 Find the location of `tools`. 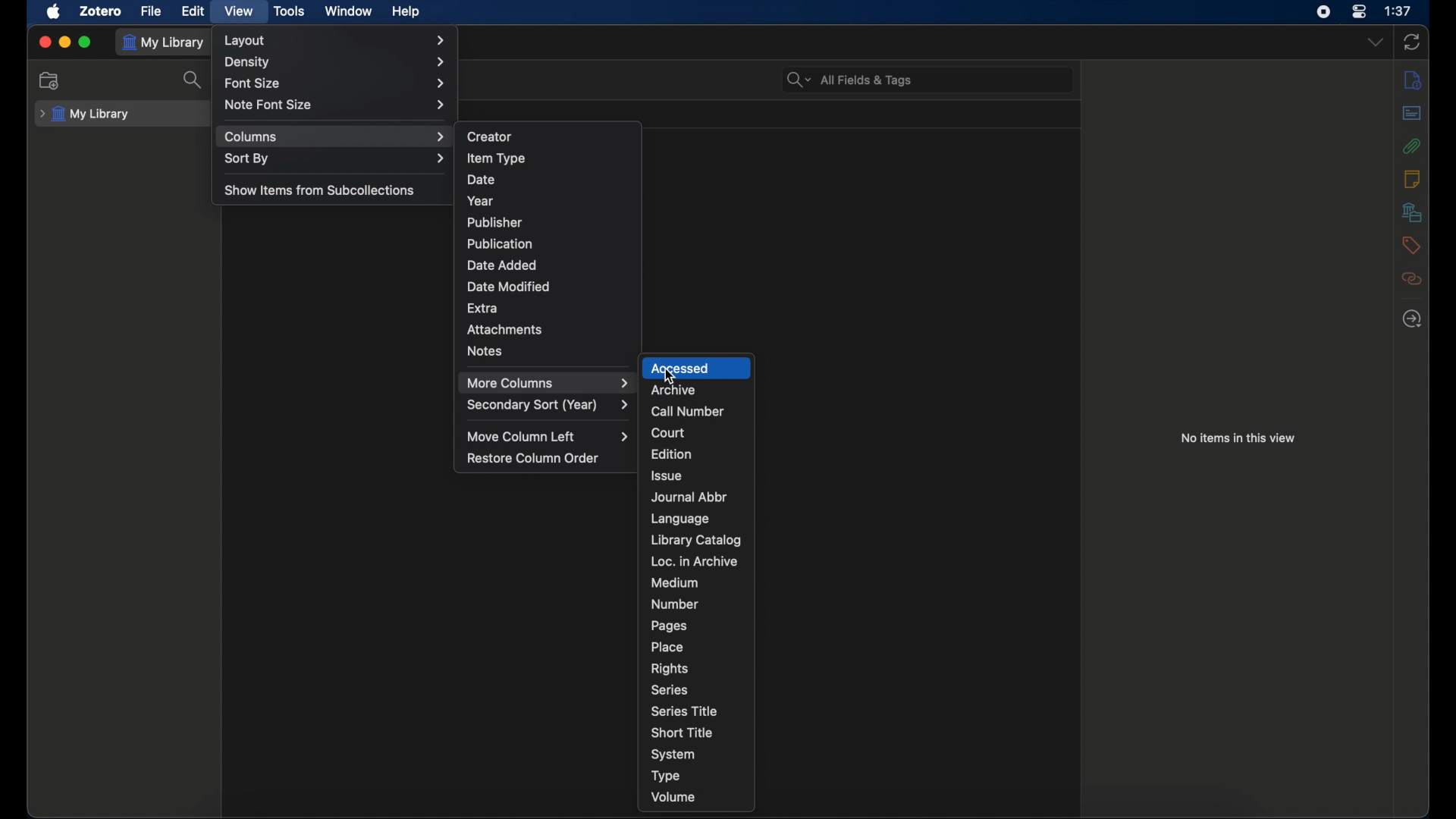

tools is located at coordinates (290, 11).